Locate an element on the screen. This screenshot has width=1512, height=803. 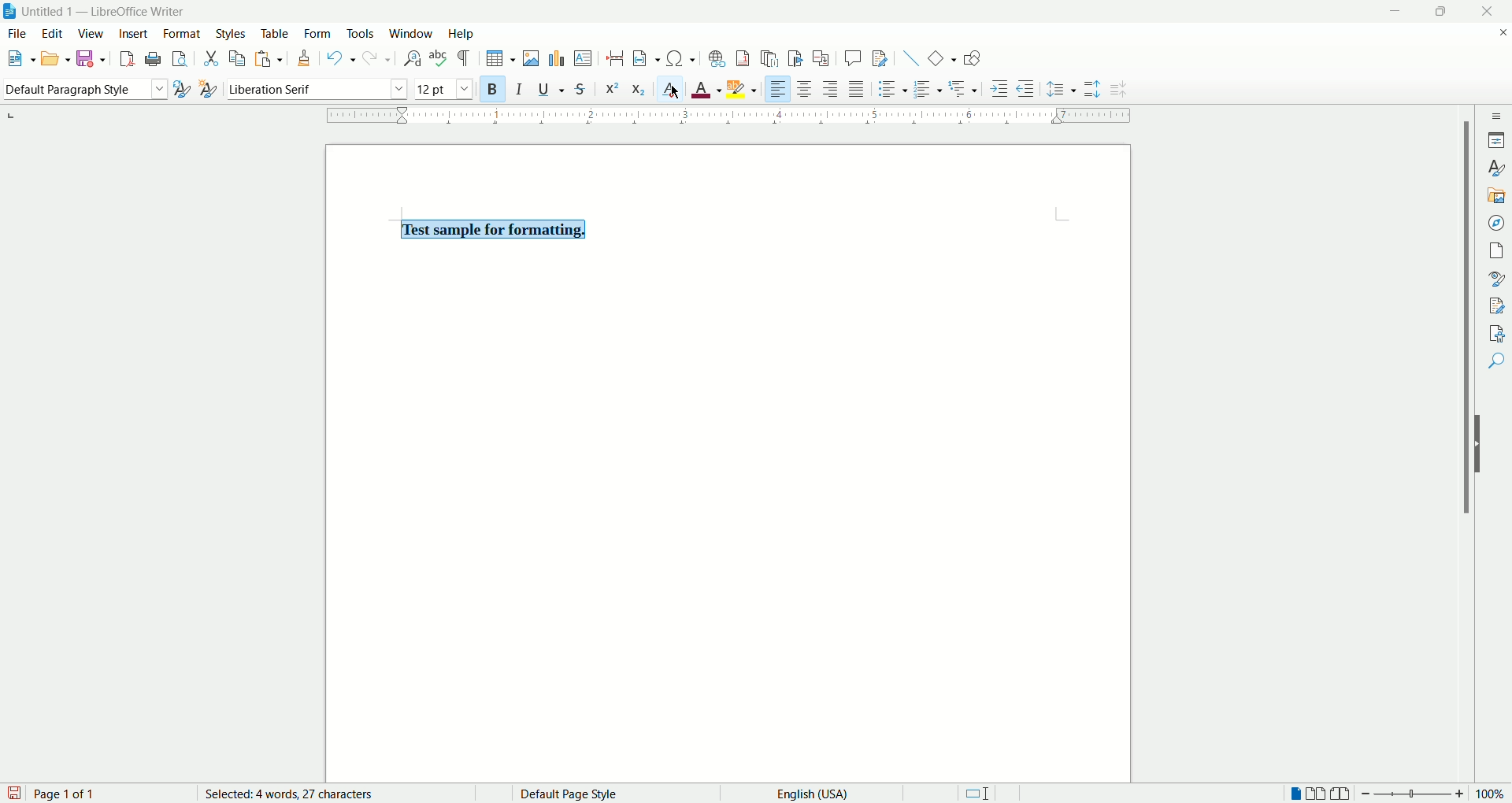
mark formatting is located at coordinates (464, 58).